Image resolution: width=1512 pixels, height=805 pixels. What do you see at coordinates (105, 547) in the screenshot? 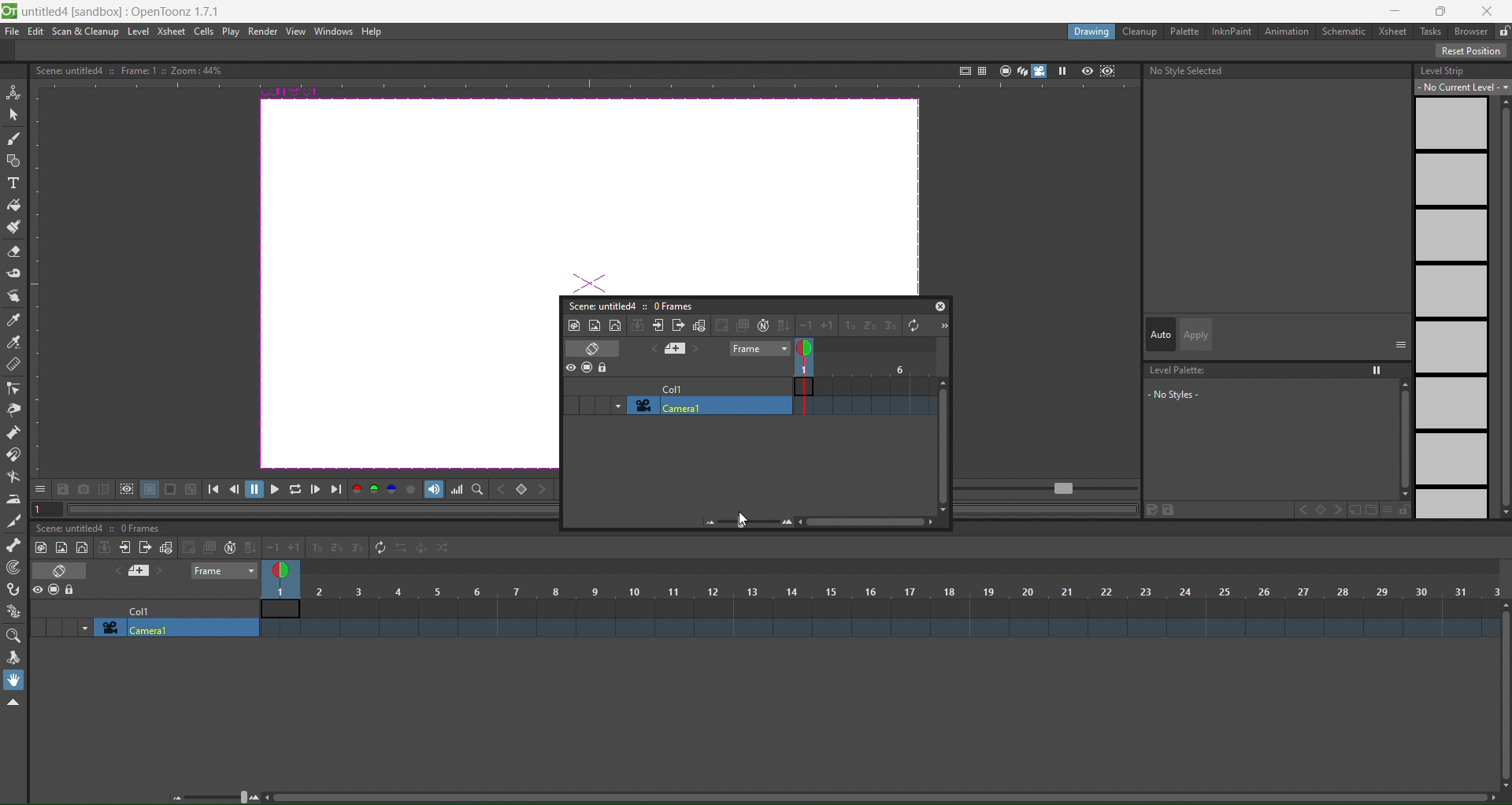
I see `collapse` at bounding box center [105, 547].